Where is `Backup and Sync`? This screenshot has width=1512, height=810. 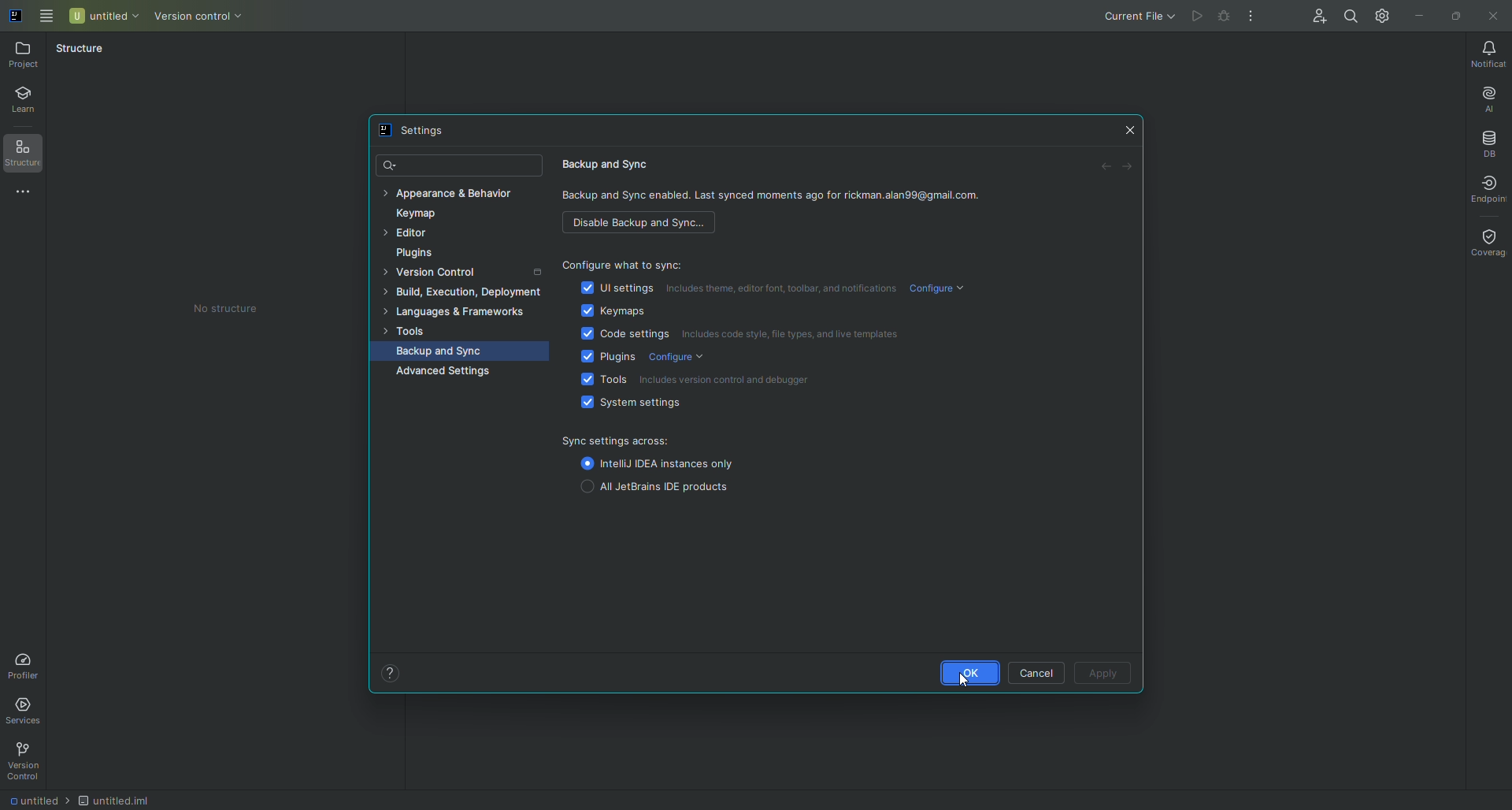
Backup and Sync is located at coordinates (615, 162).